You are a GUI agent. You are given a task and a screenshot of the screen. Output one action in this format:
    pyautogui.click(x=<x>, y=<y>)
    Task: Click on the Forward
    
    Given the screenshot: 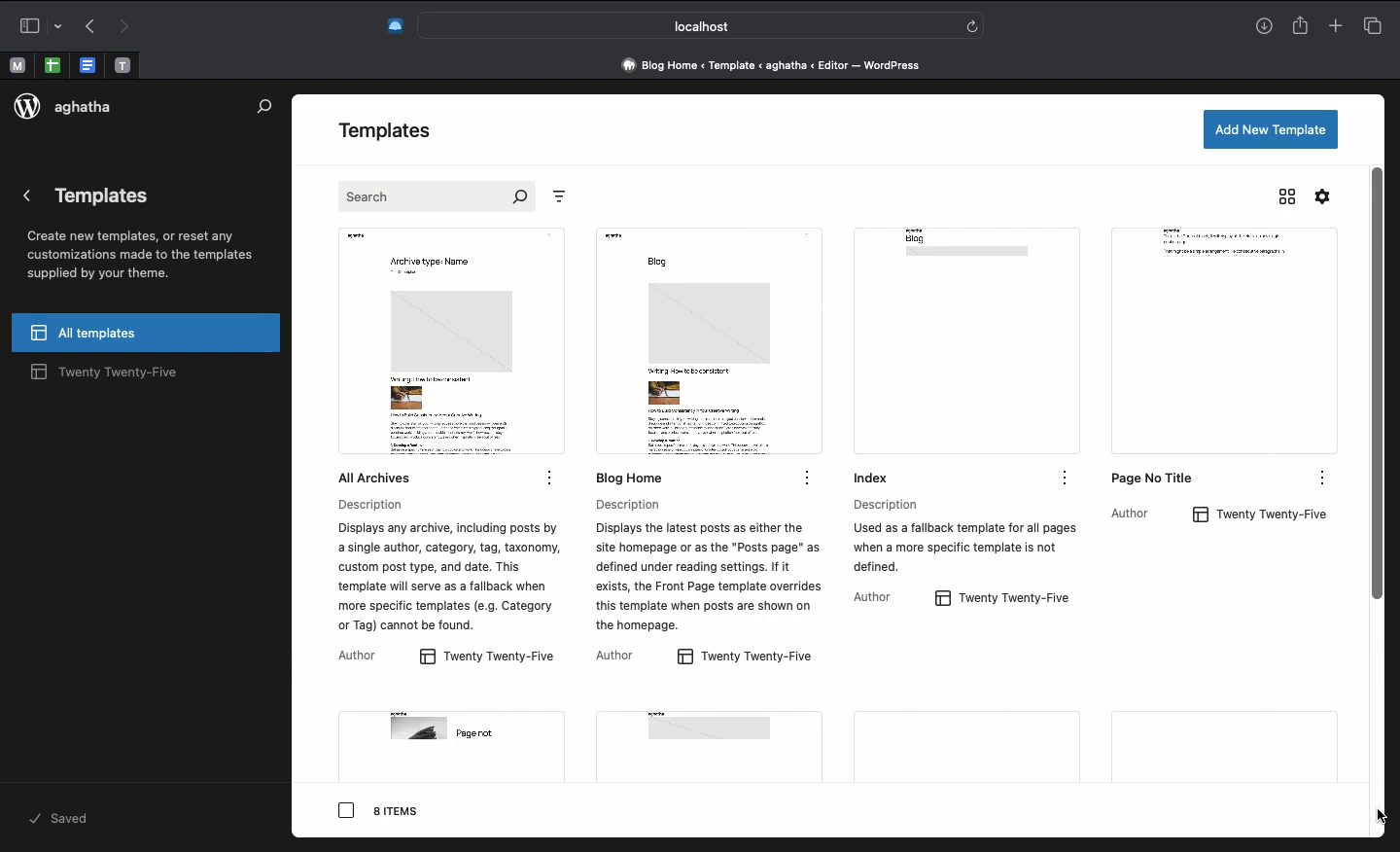 What is the action you would take?
    pyautogui.click(x=125, y=27)
    